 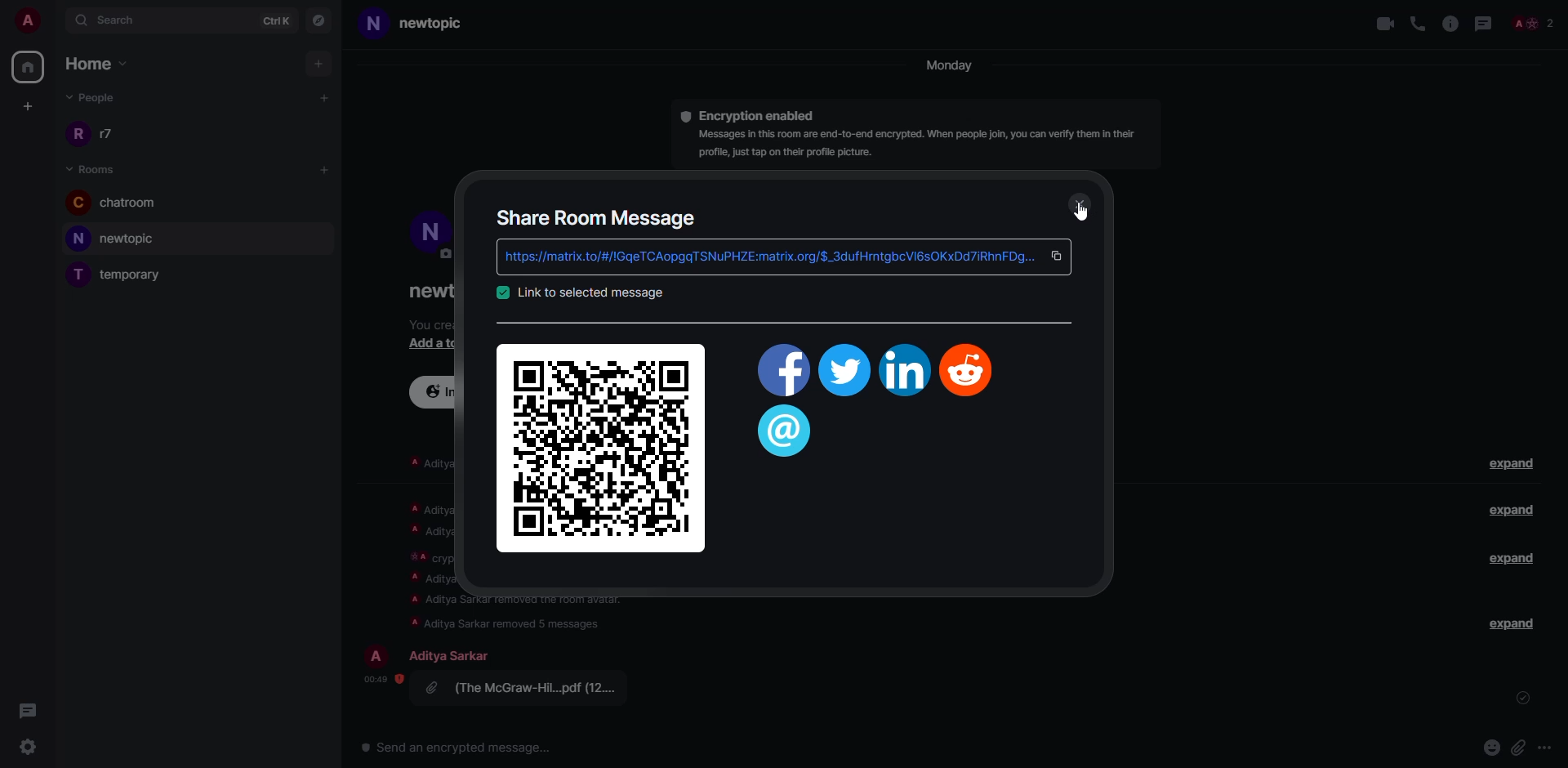 What do you see at coordinates (28, 20) in the screenshot?
I see `account` at bounding box center [28, 20].